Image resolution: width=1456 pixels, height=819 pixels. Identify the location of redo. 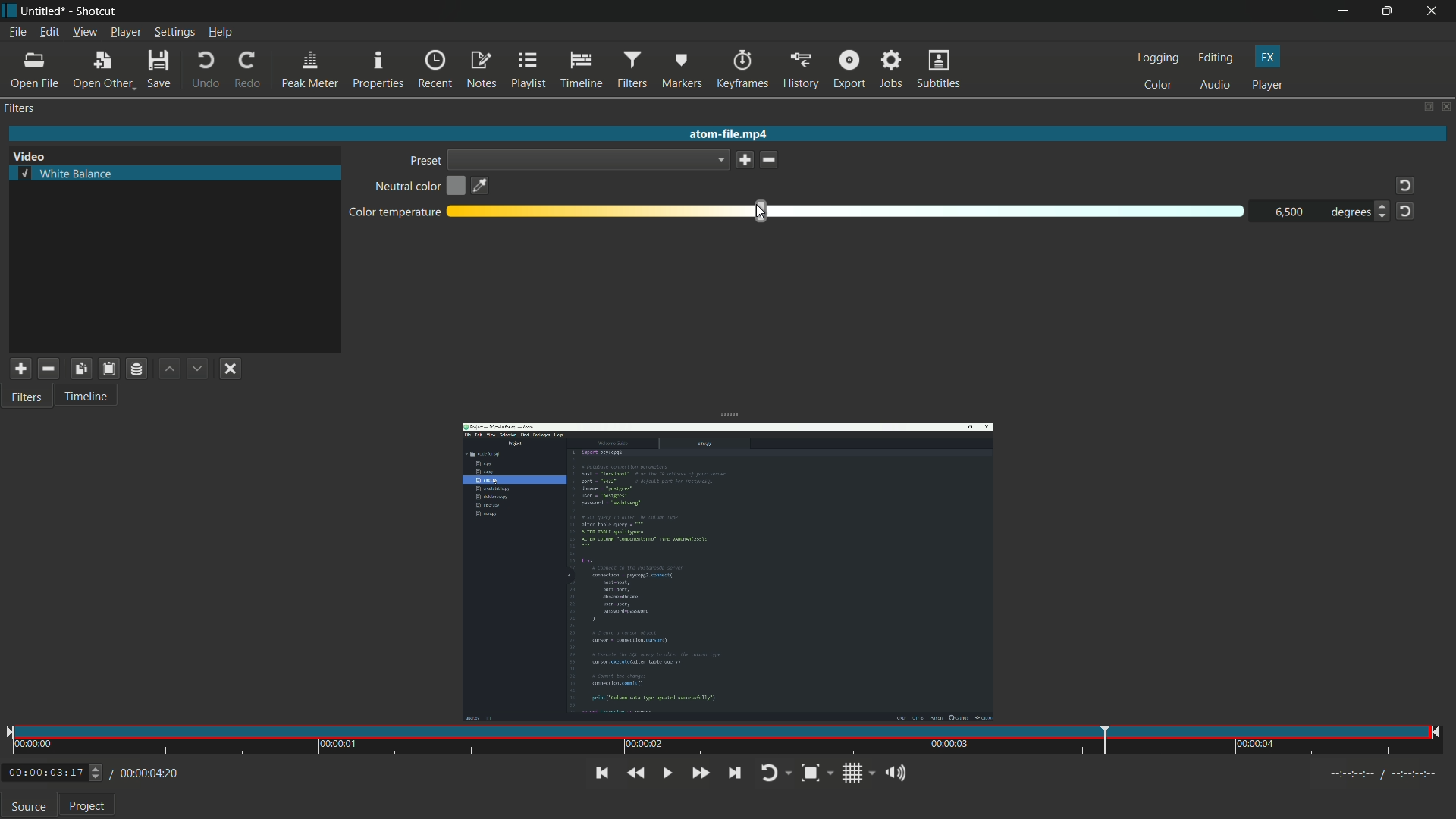
(249, 67).